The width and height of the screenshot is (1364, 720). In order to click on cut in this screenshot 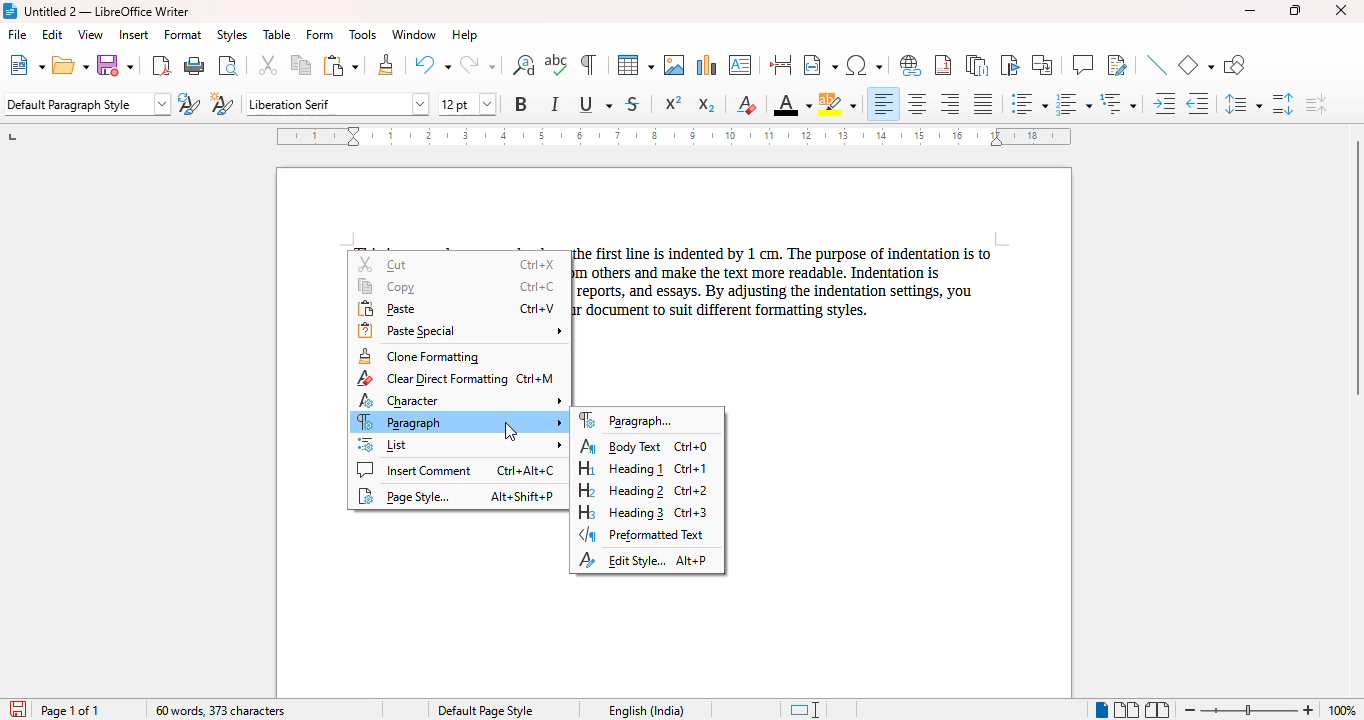, I will do `click(459, 264)`.